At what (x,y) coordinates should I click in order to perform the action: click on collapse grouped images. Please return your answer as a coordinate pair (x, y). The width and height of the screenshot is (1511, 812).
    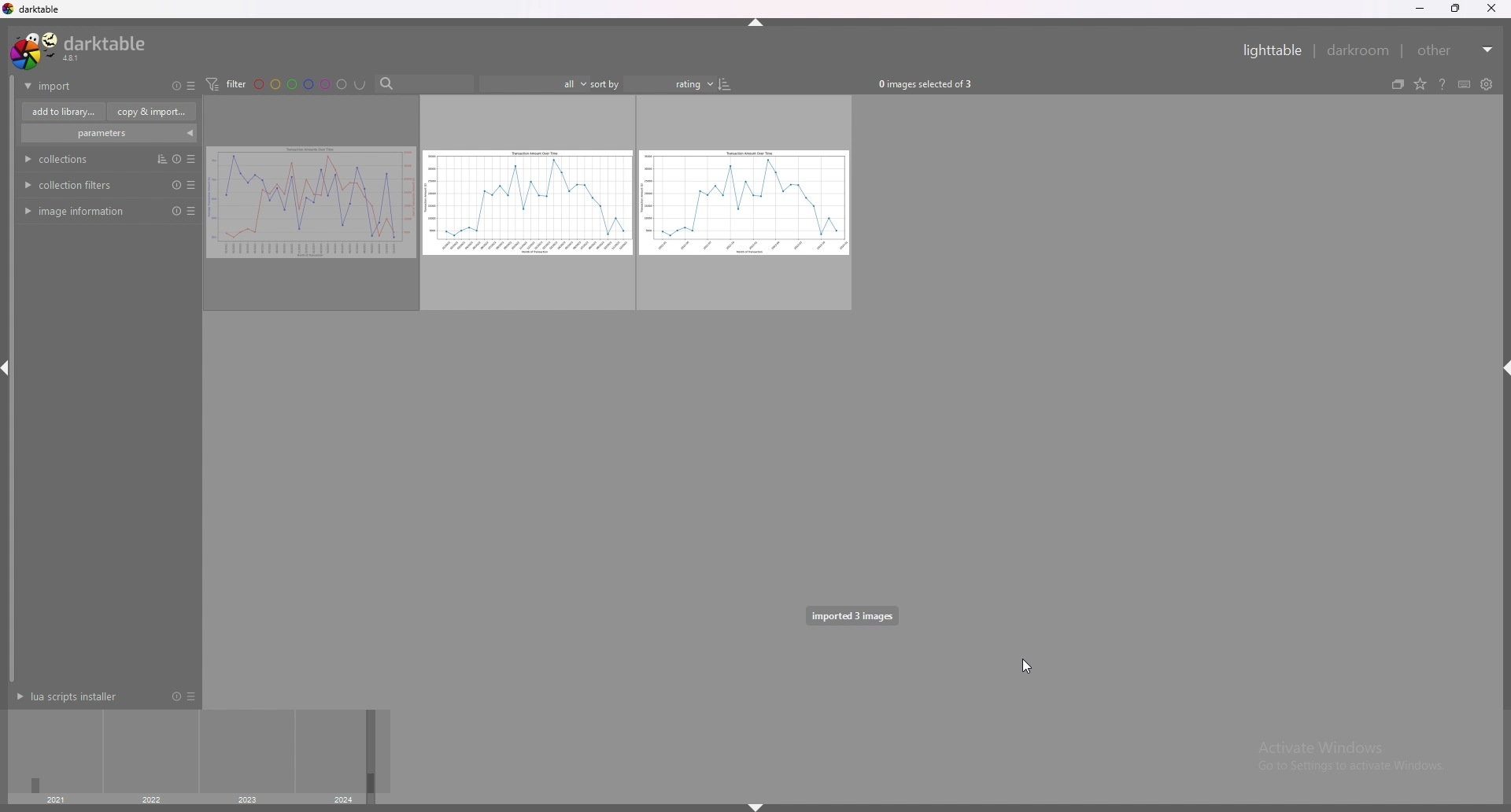
    Looking at the image, I should click on (1398, 84).